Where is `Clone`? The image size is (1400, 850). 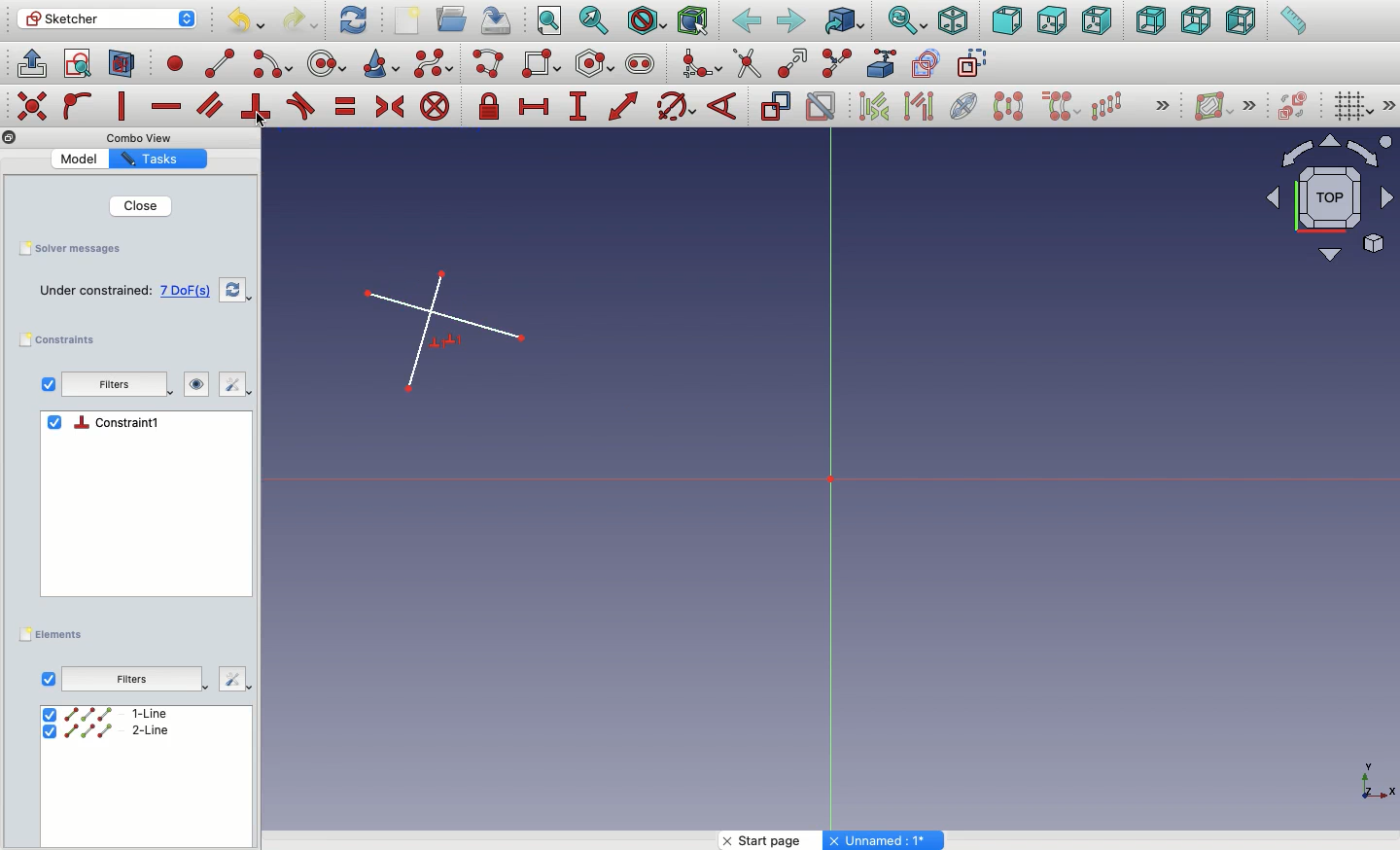 Clone is located at coordinates (1063, 108).